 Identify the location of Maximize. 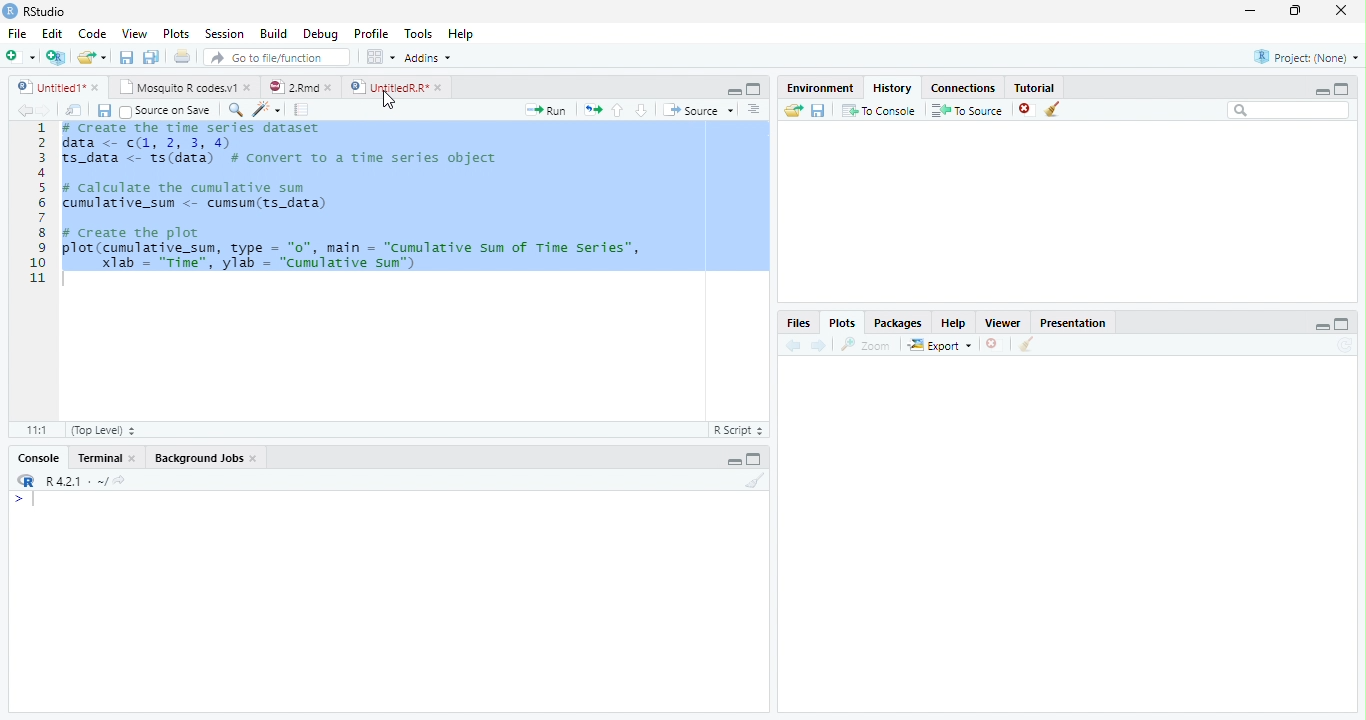
(1296, 13).